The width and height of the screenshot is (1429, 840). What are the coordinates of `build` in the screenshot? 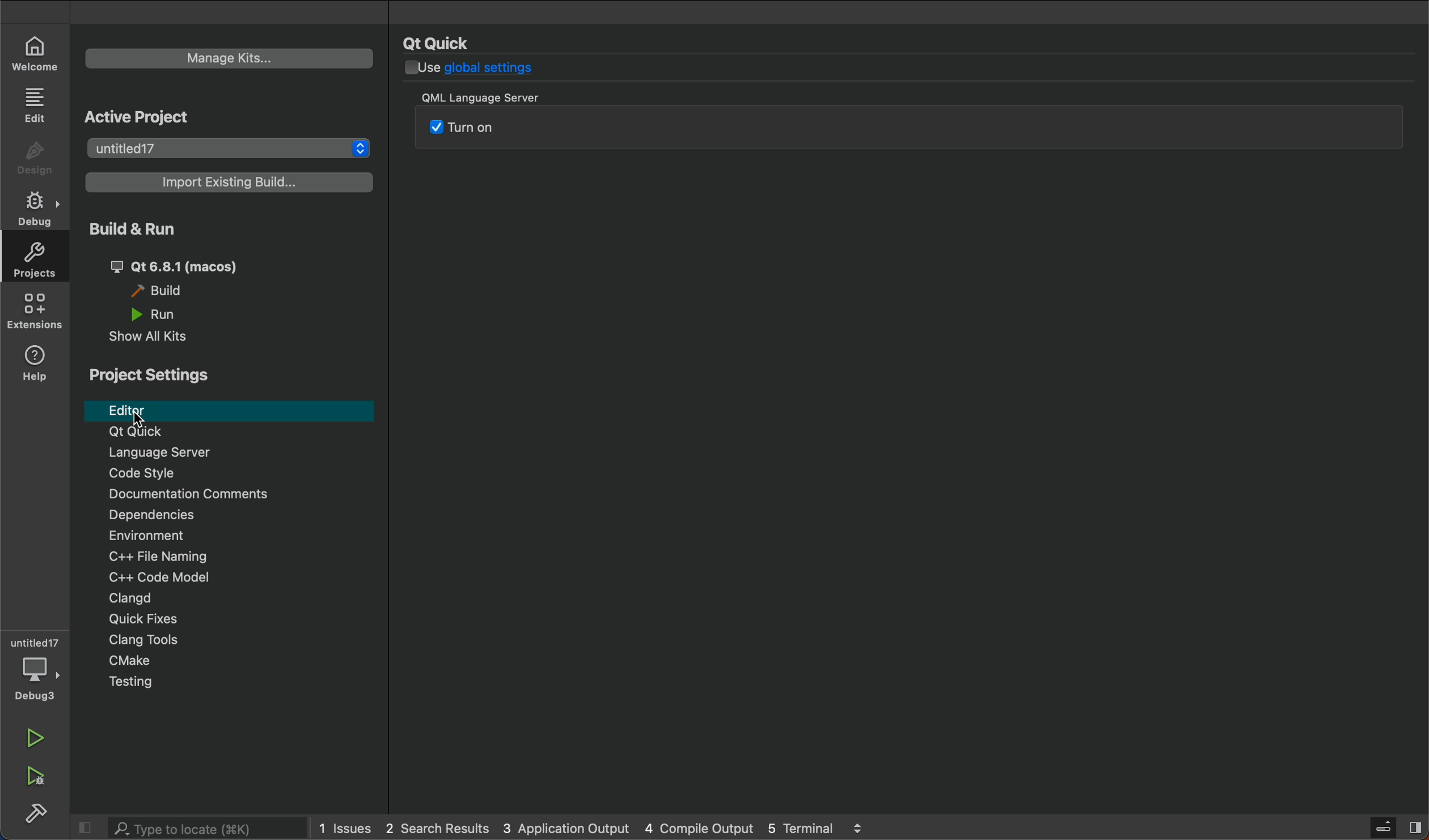 It's located at (166, 290).